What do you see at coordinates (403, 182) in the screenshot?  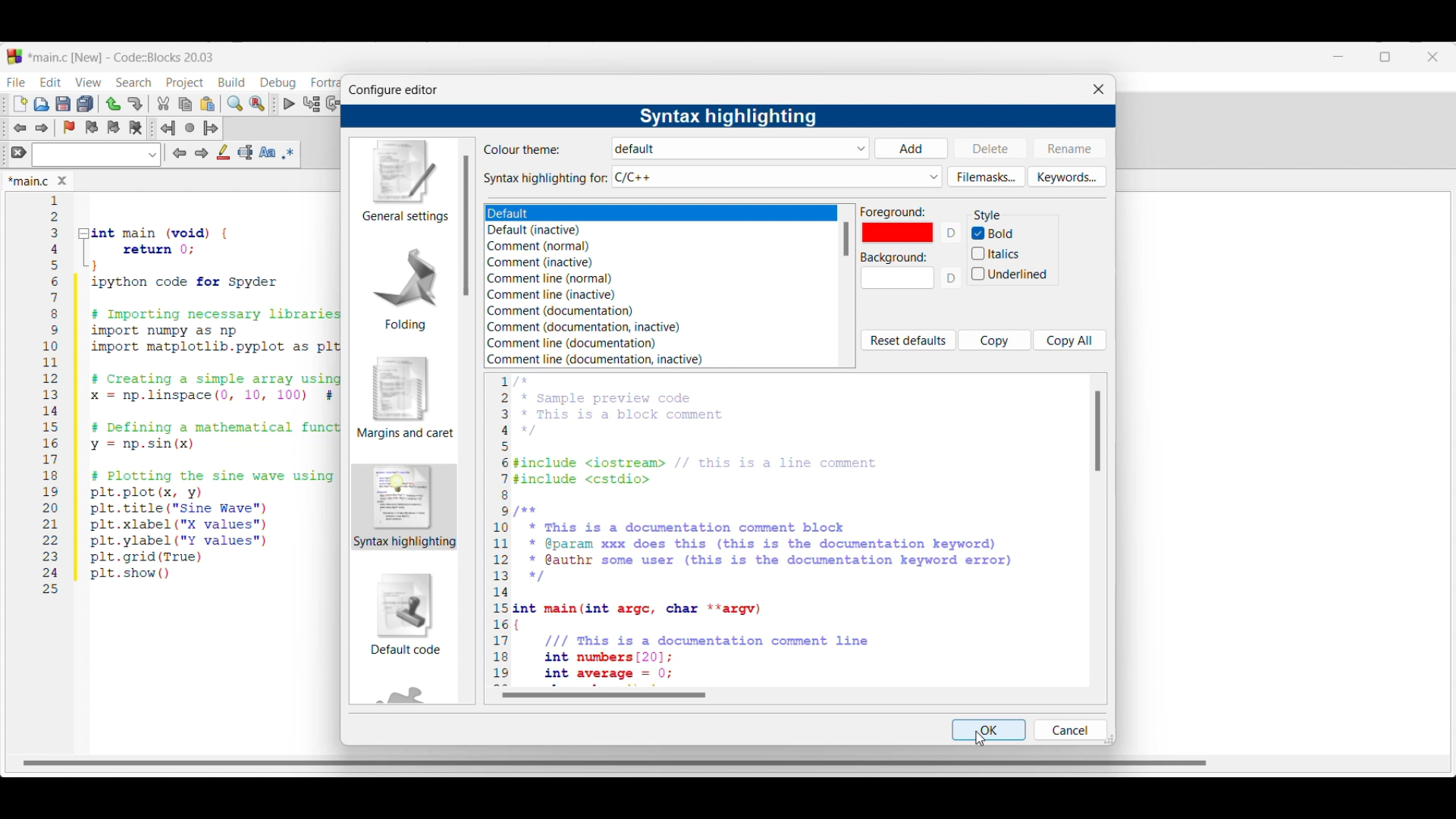 I see `General settings, current setting highlighted ` at bounding box center [403, 182].